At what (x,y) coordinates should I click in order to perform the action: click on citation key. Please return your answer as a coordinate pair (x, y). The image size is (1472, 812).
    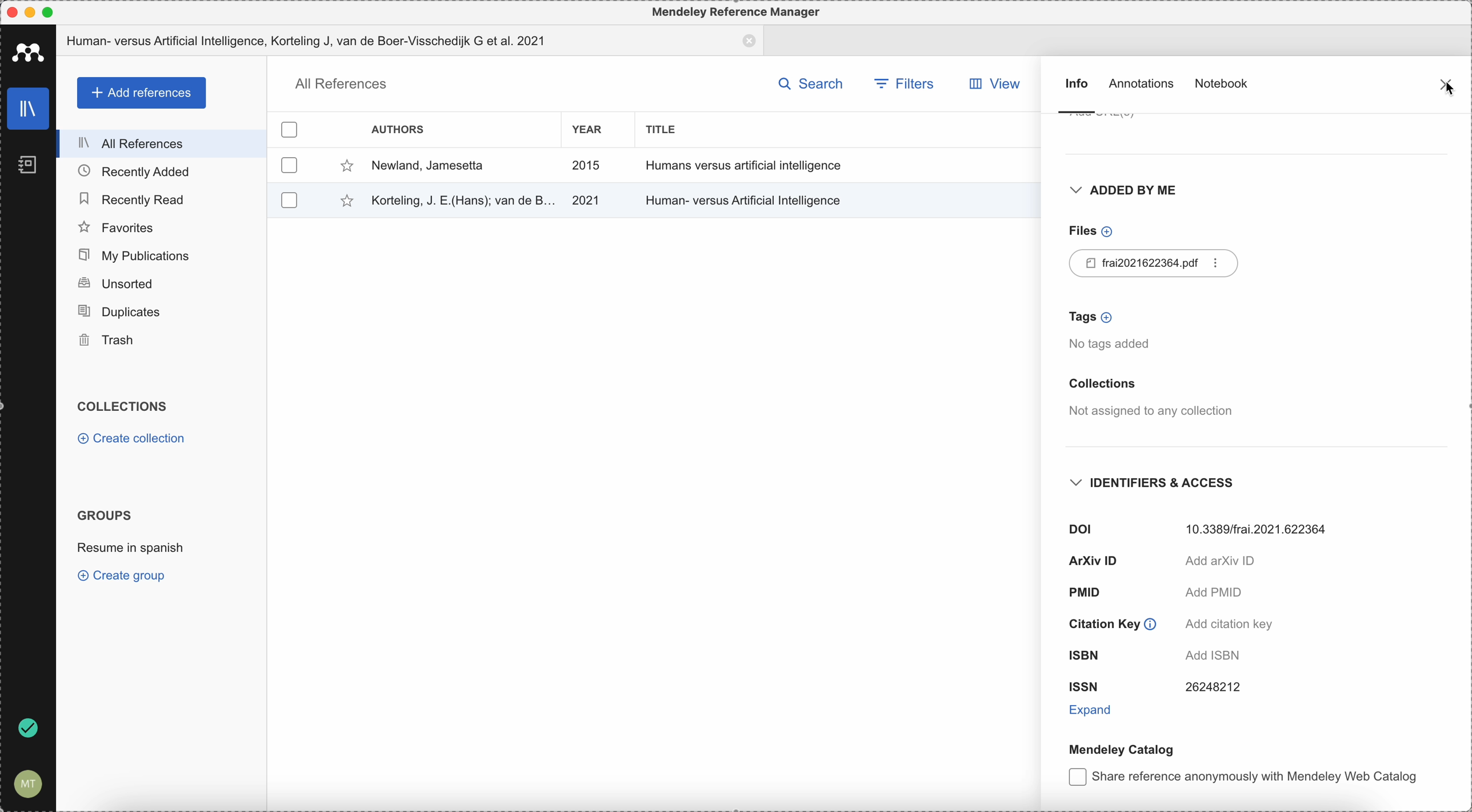
    Looking at the image, I should click on (1168, 623).